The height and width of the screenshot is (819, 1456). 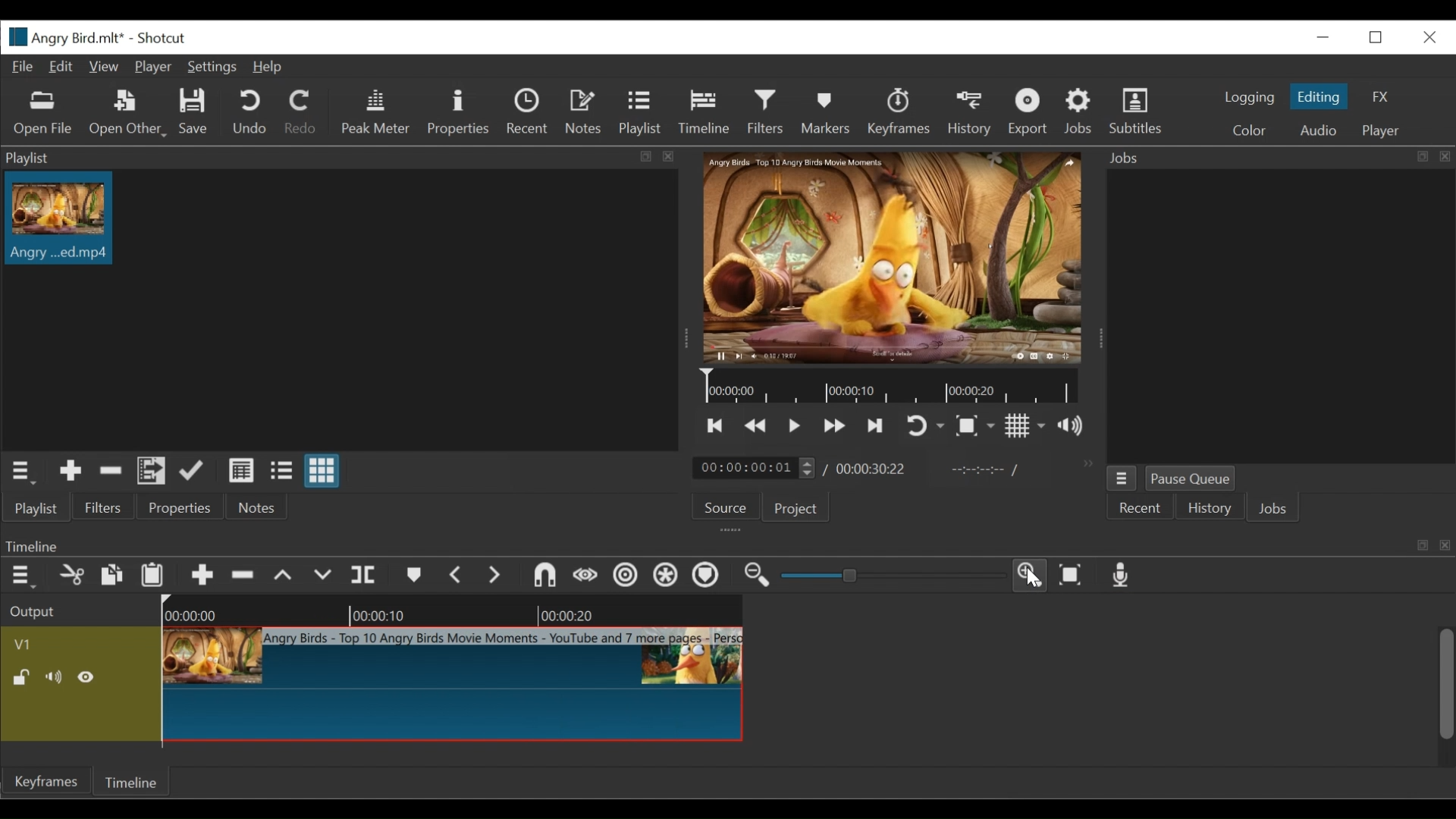 What do you see at coordinates (1381, 96) in the screenshot?
I see `FX` at bounding box center [1381, 96].